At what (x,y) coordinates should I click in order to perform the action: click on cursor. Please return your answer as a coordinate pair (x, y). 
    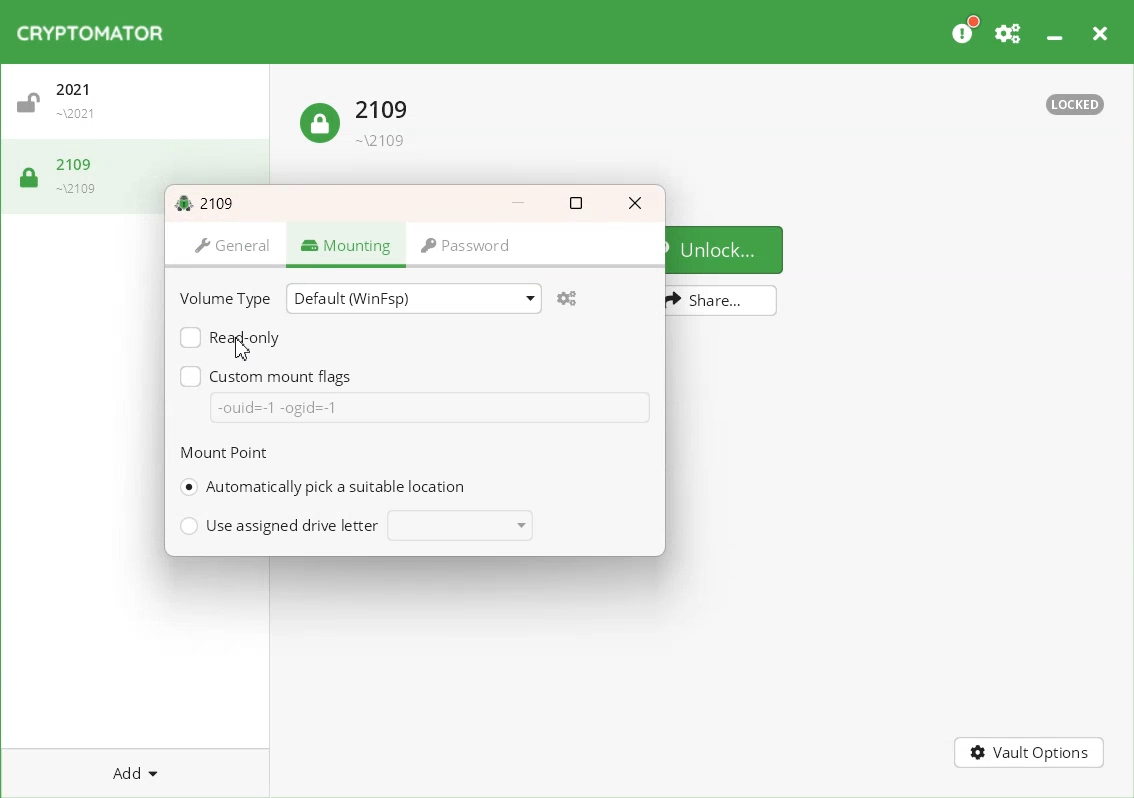
    Looking at the image, I should click on (243, 349).